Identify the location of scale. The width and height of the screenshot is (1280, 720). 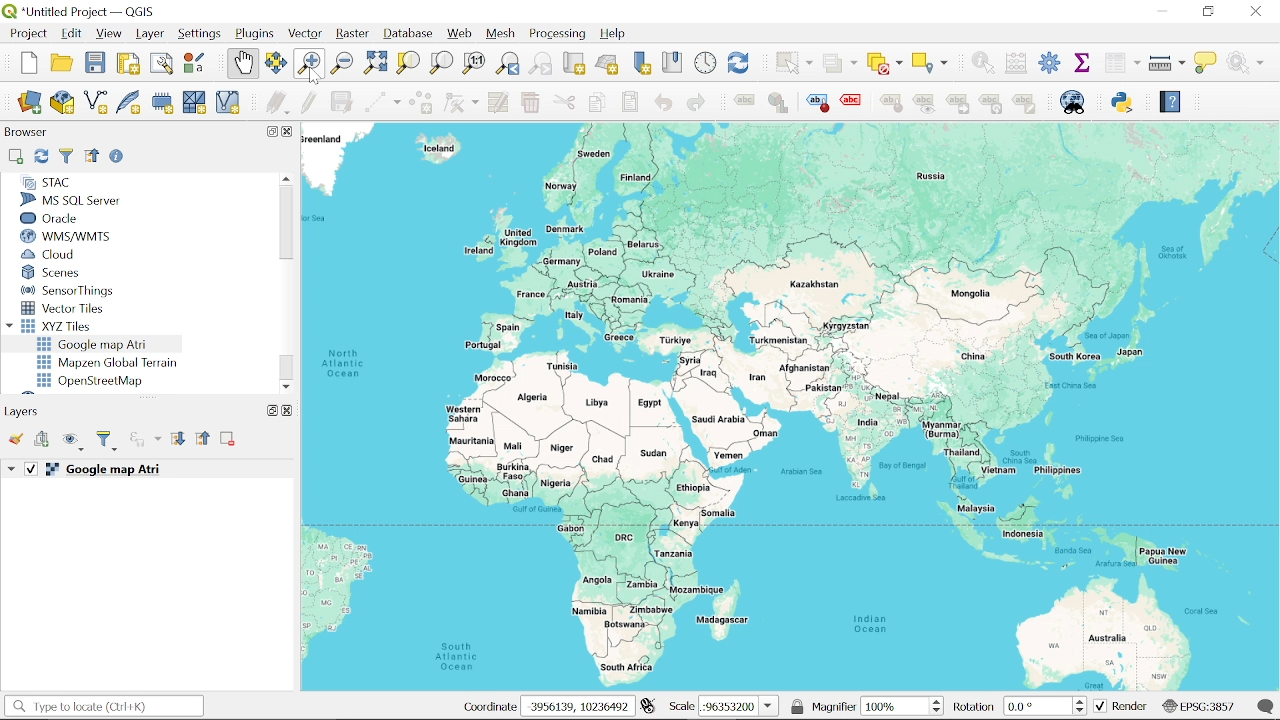
(680, 707).